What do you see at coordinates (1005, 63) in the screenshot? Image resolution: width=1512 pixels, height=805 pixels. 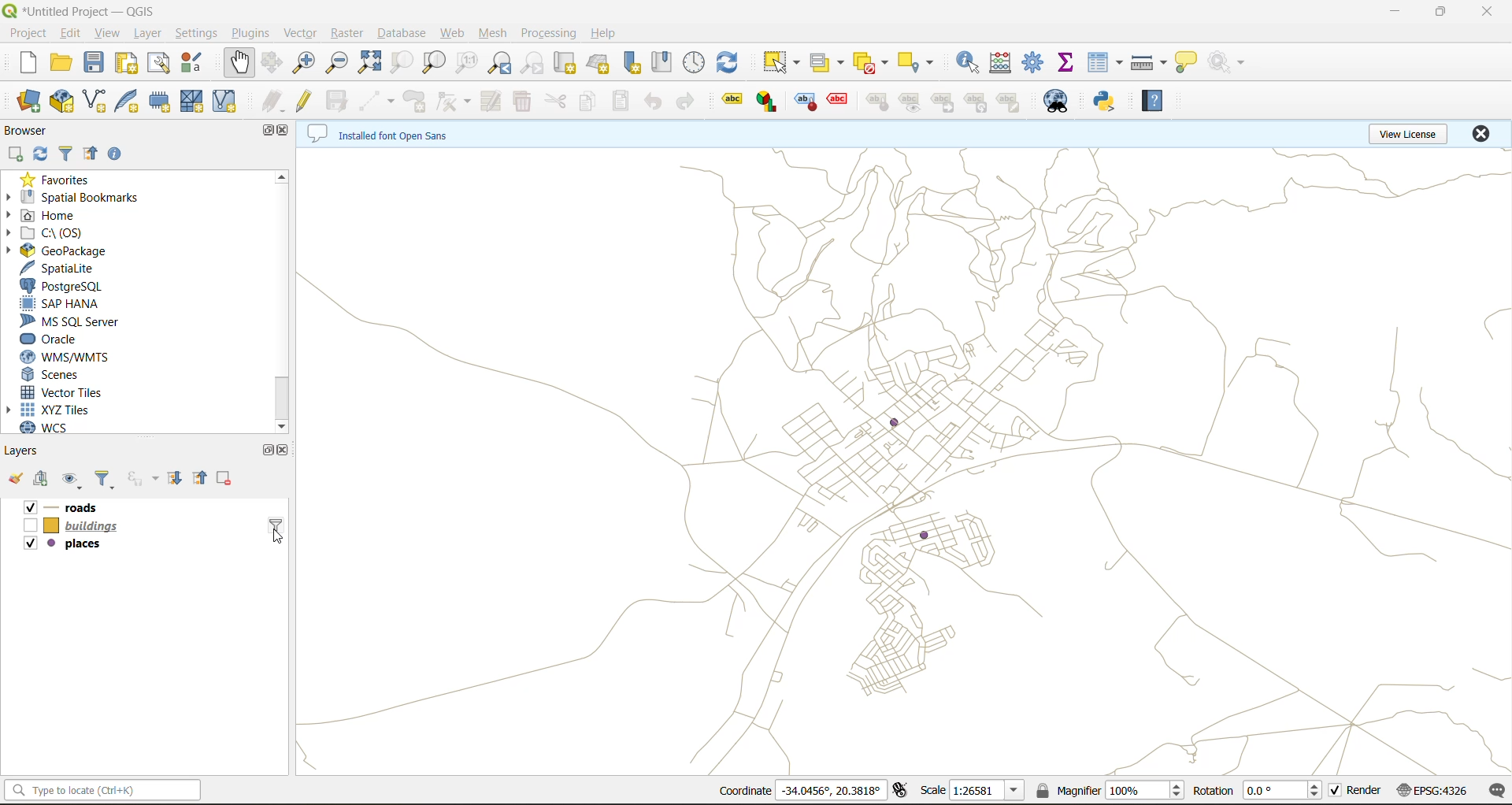 I see `calculator` at bounding box center [1005, 63].